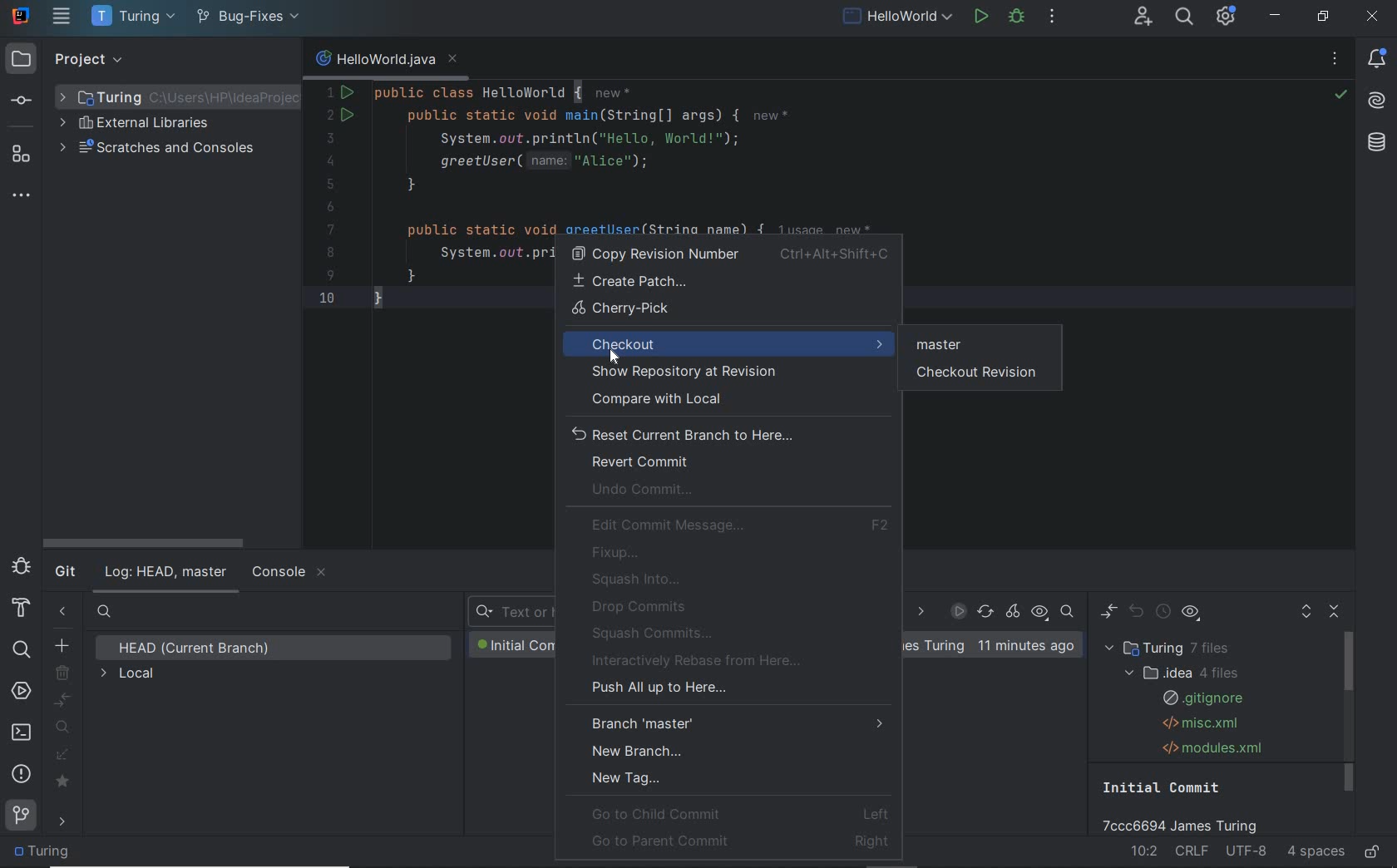 Image resolution: width=1397 pixels, height=868 pixels. Describe the element at coordinates (1145, 850) in the screenshot. I see `go to line` at that location.